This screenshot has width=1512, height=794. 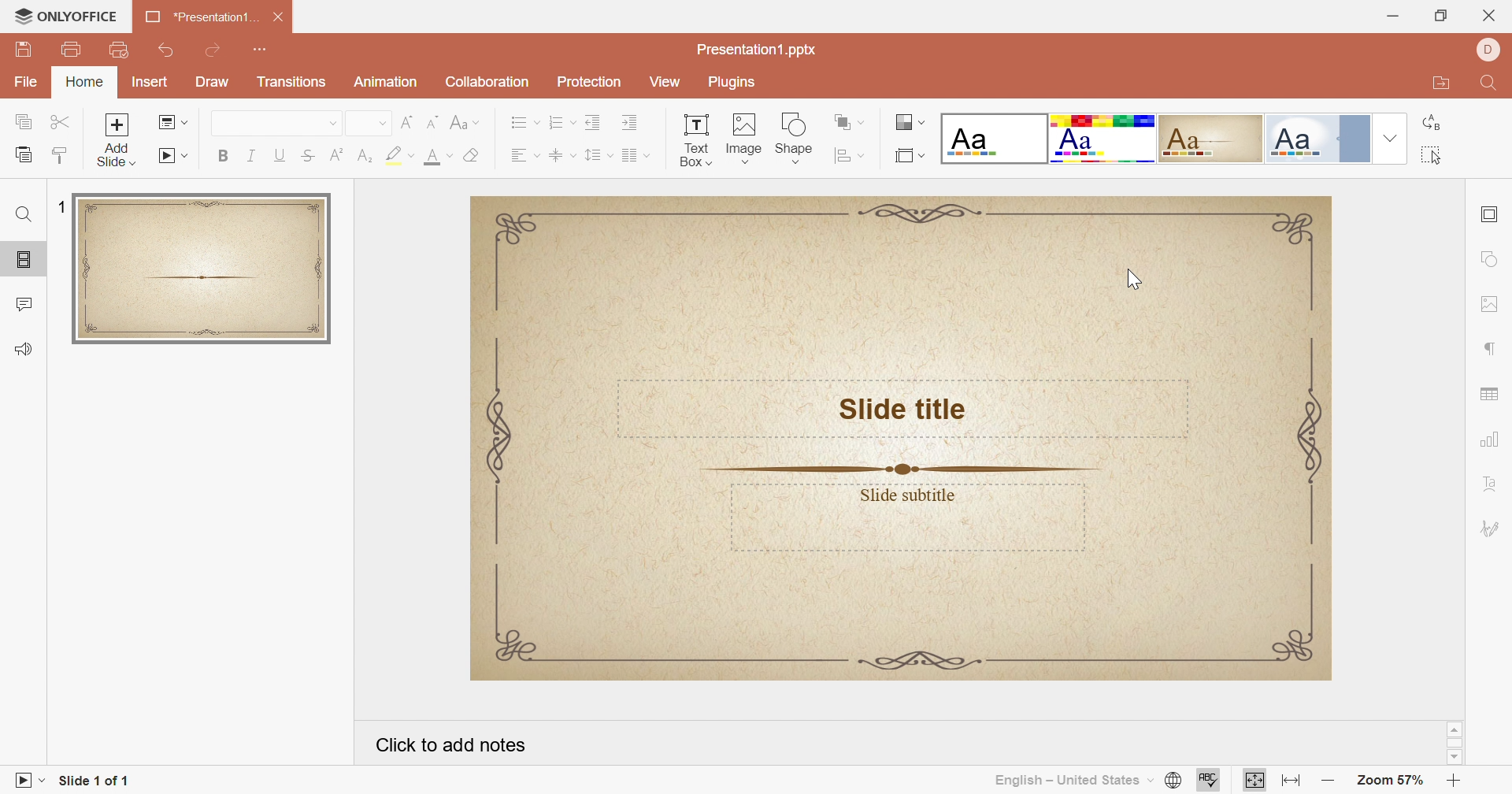 What do you see at coordinates (83, 80) in the screenshot?
I see `Home` at bounding box center [83, 80].